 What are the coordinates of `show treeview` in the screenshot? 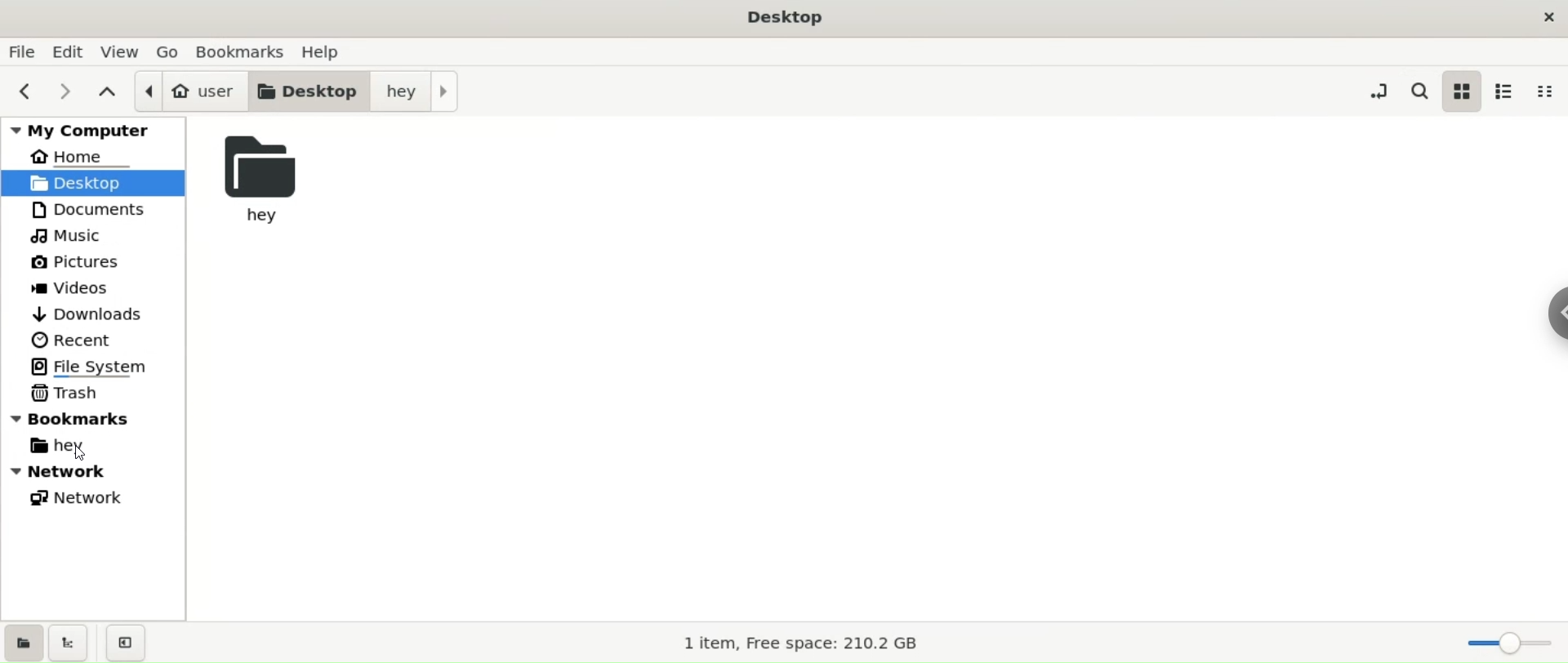 It's located at (69, 644).